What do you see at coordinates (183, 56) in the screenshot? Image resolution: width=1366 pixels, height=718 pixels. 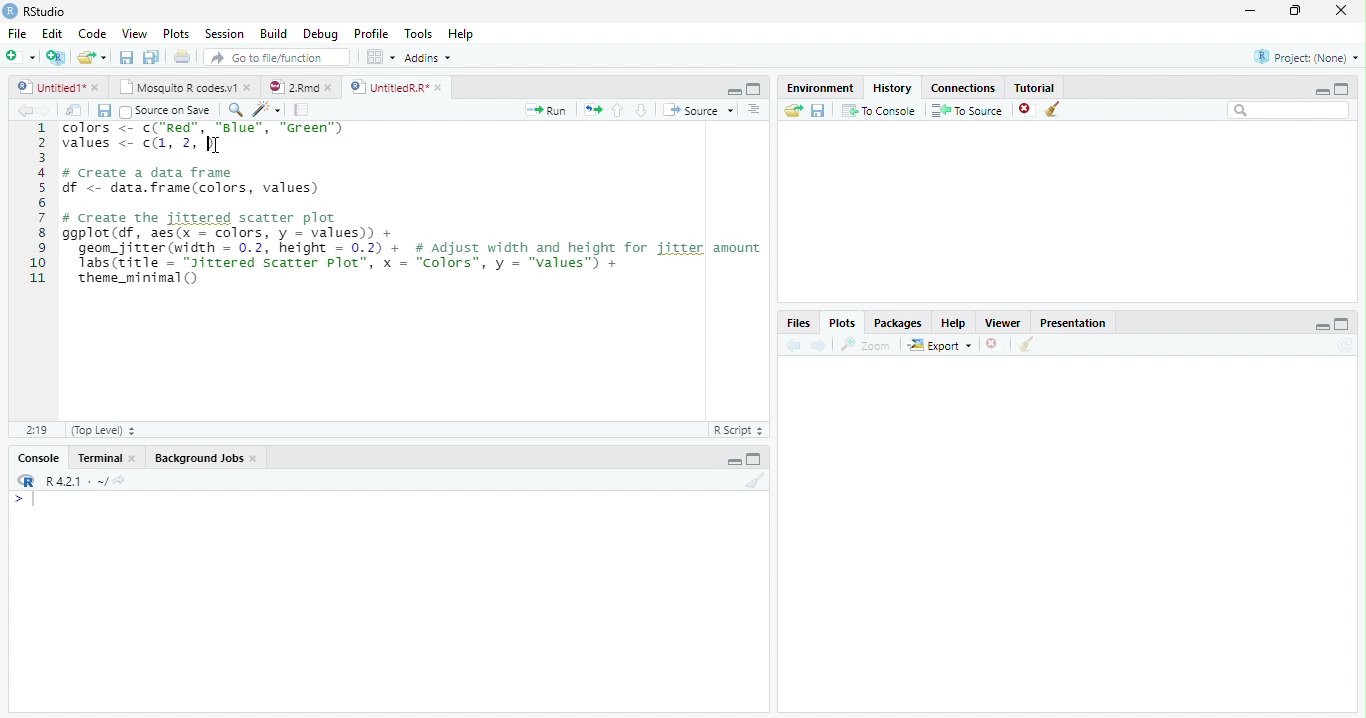 I see `Print the current file` at bounding box center [183, 56].